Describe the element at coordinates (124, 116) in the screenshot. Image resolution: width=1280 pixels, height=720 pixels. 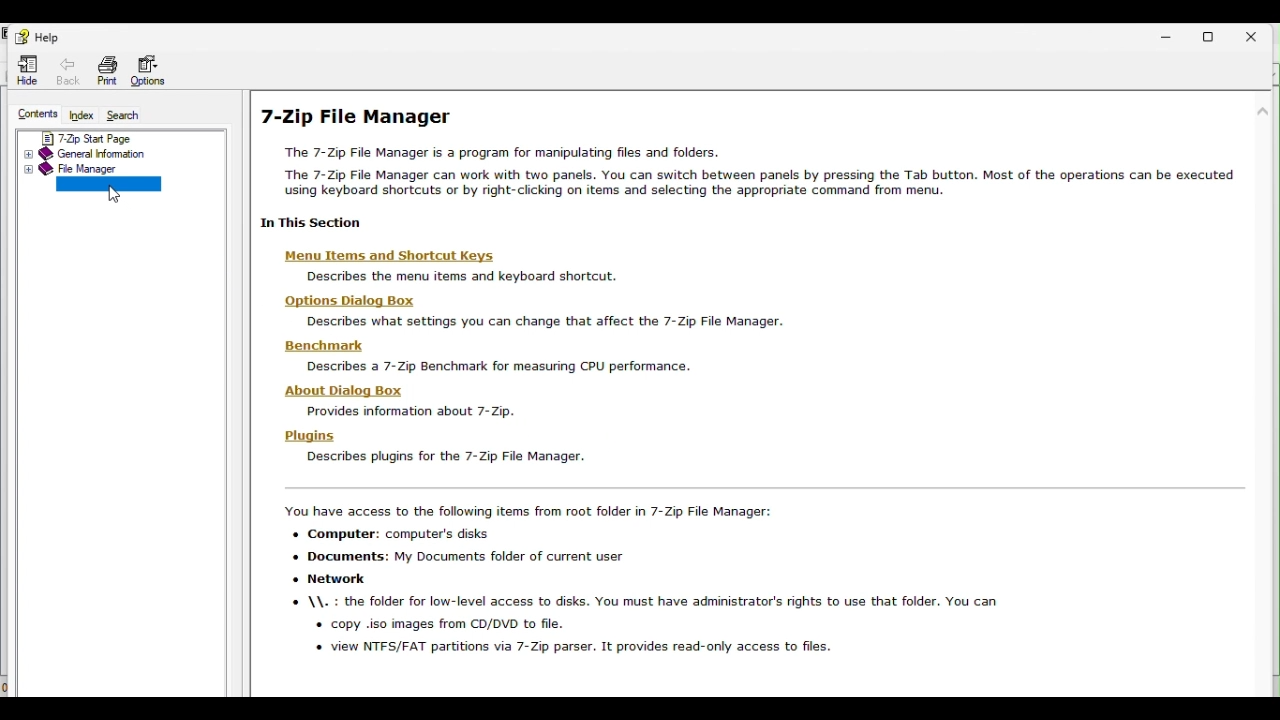
I see `Search` at that location.